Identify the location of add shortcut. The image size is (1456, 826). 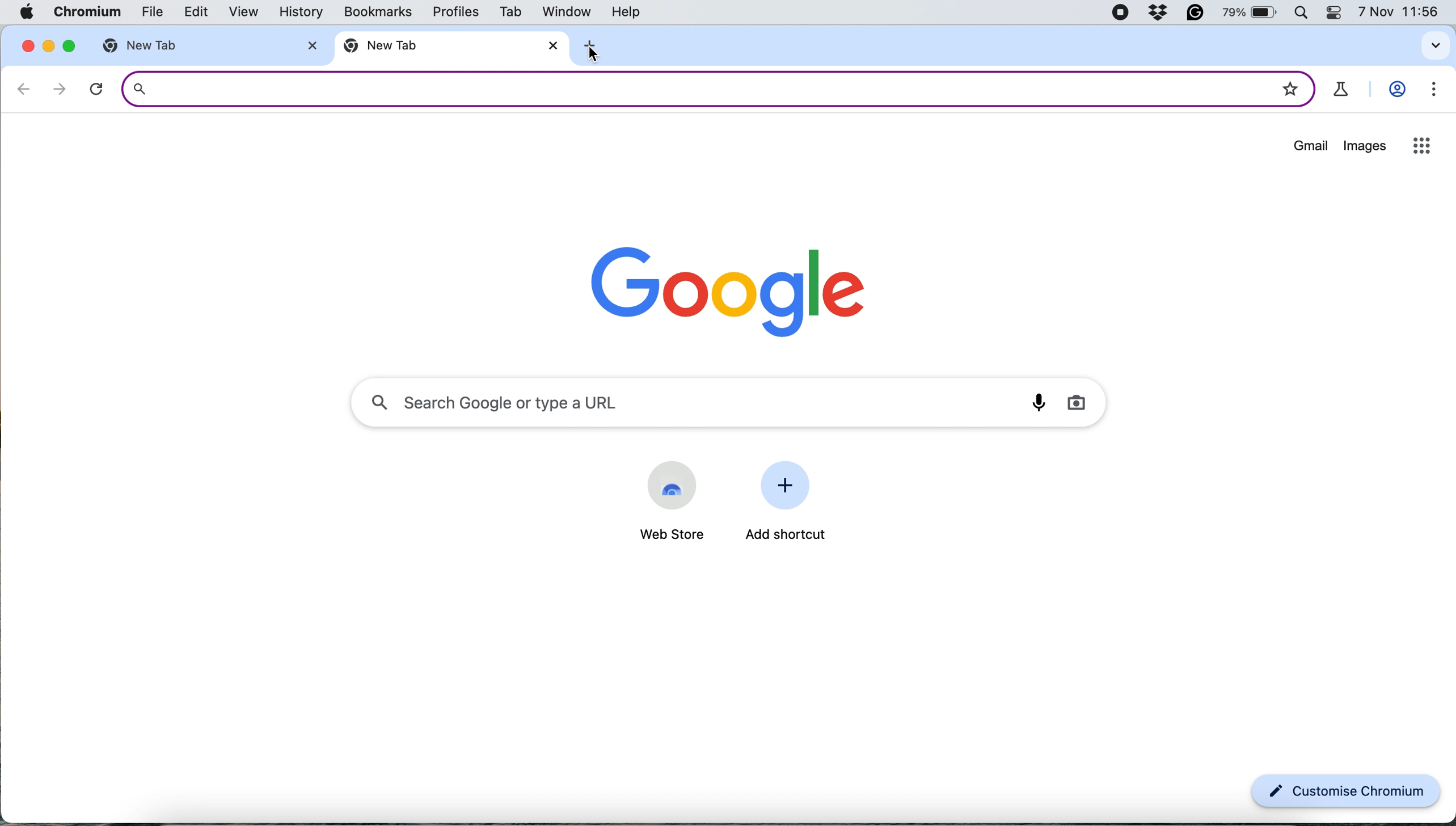
(788, 536).